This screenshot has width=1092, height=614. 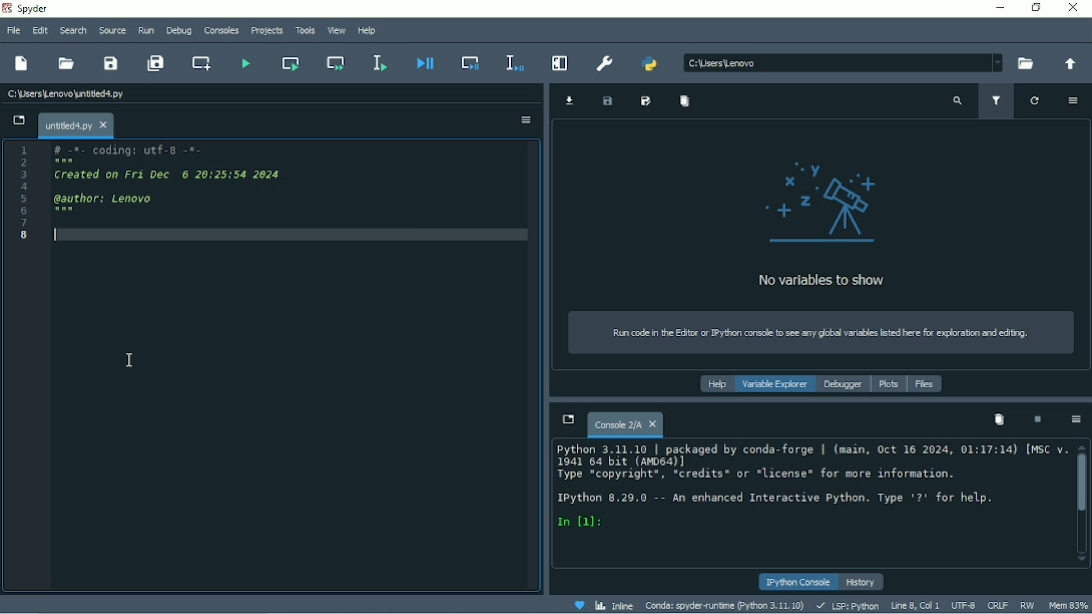 I want to click on Browse a working directory, so click(x=1027, y=63).